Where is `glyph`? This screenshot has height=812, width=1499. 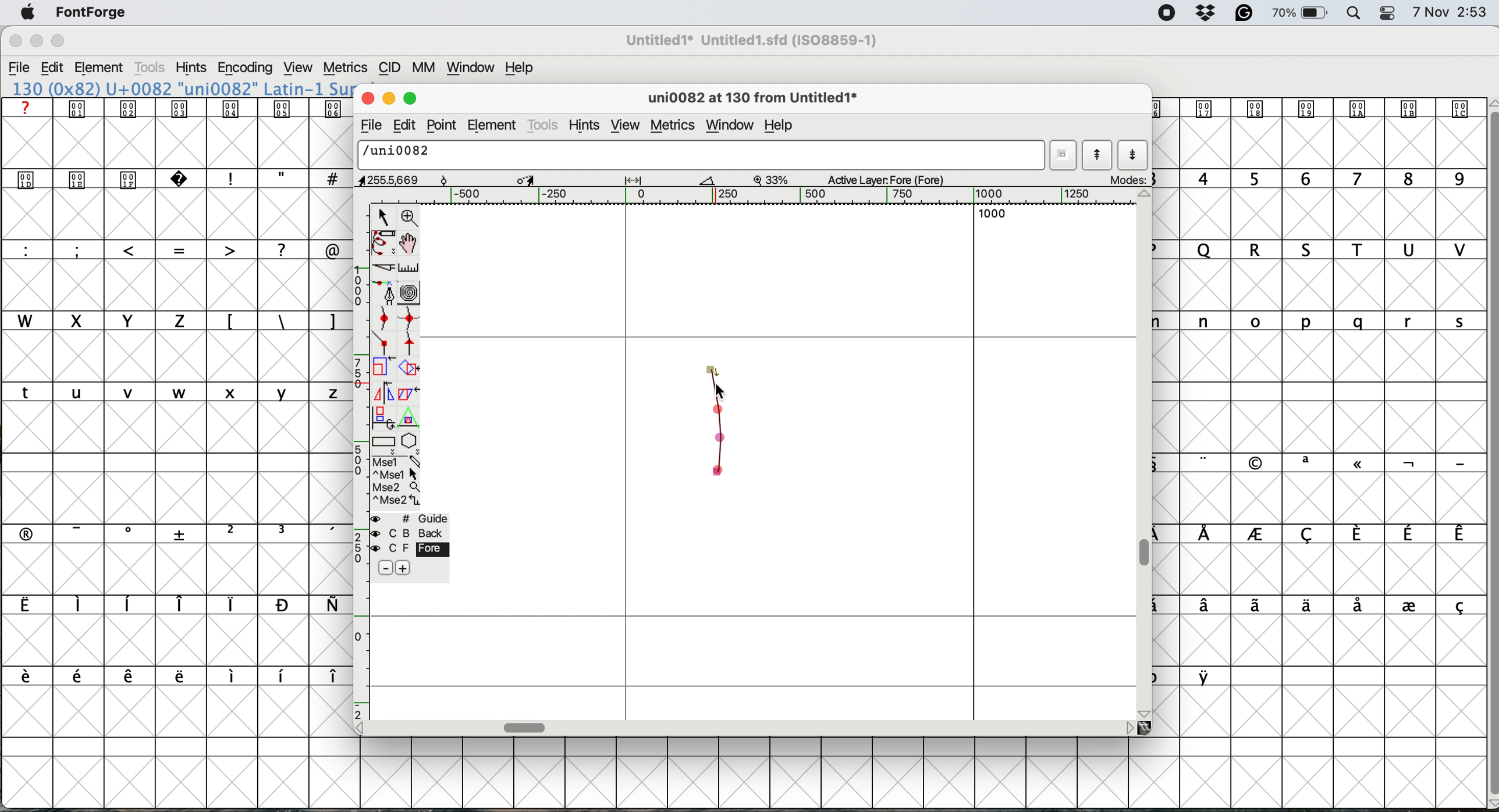 glyph is located at coordinates (702, 156).